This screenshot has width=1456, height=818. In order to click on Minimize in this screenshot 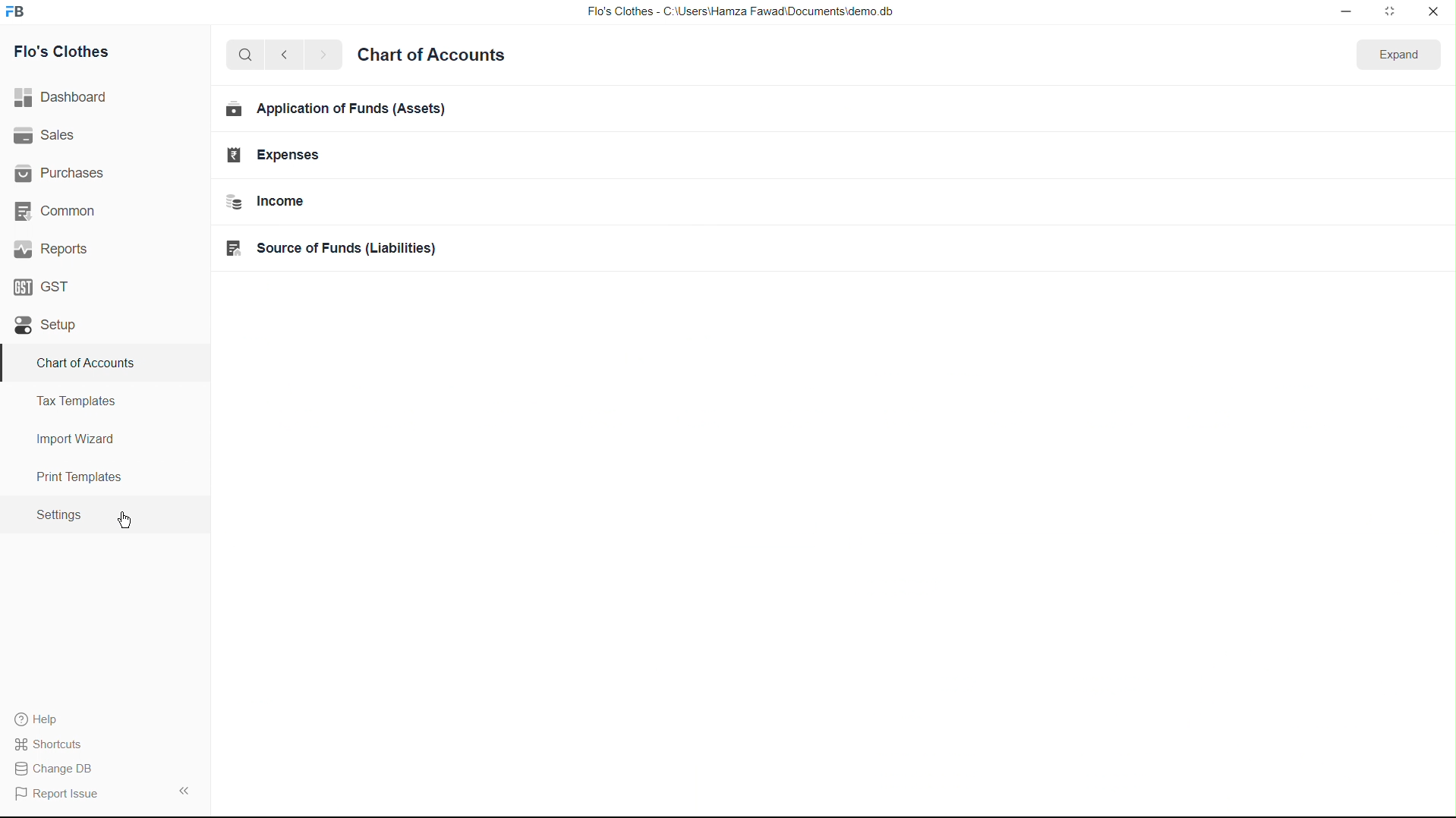, I will do `click(1343, 12)`.